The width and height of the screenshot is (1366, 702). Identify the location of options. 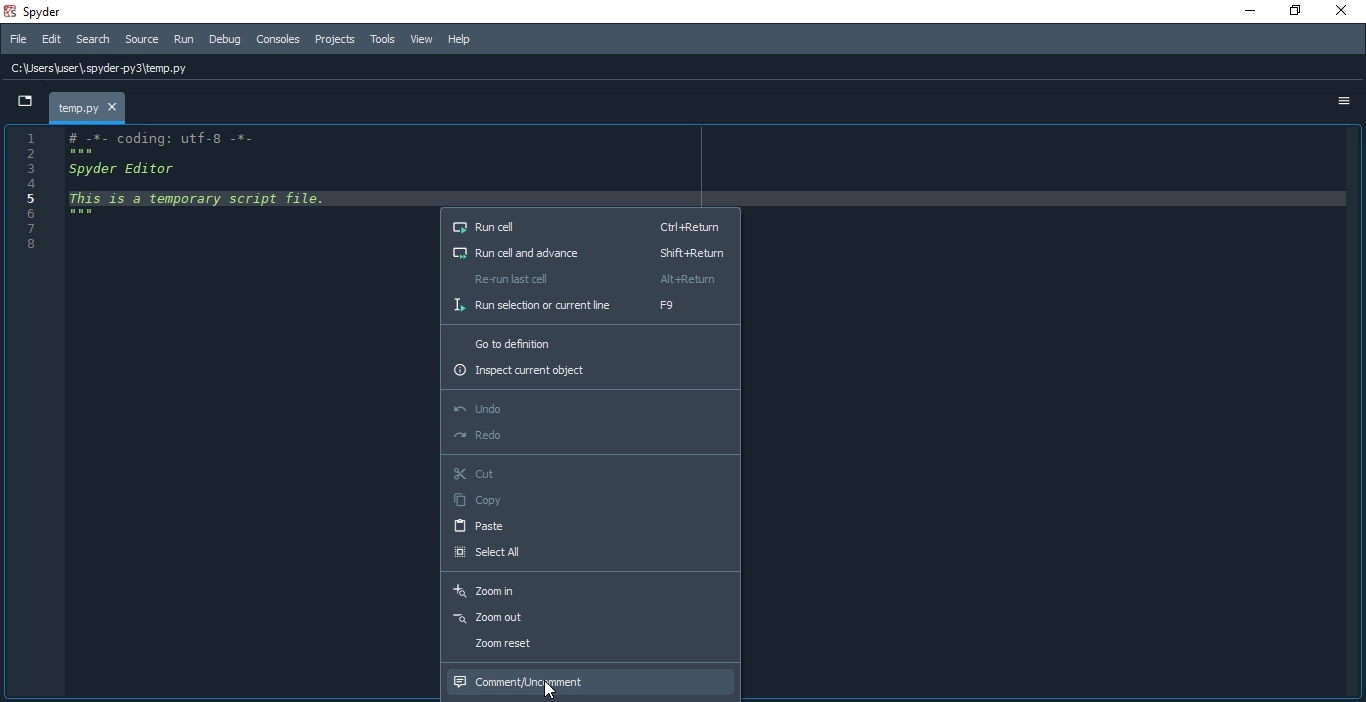
(1342, 100).